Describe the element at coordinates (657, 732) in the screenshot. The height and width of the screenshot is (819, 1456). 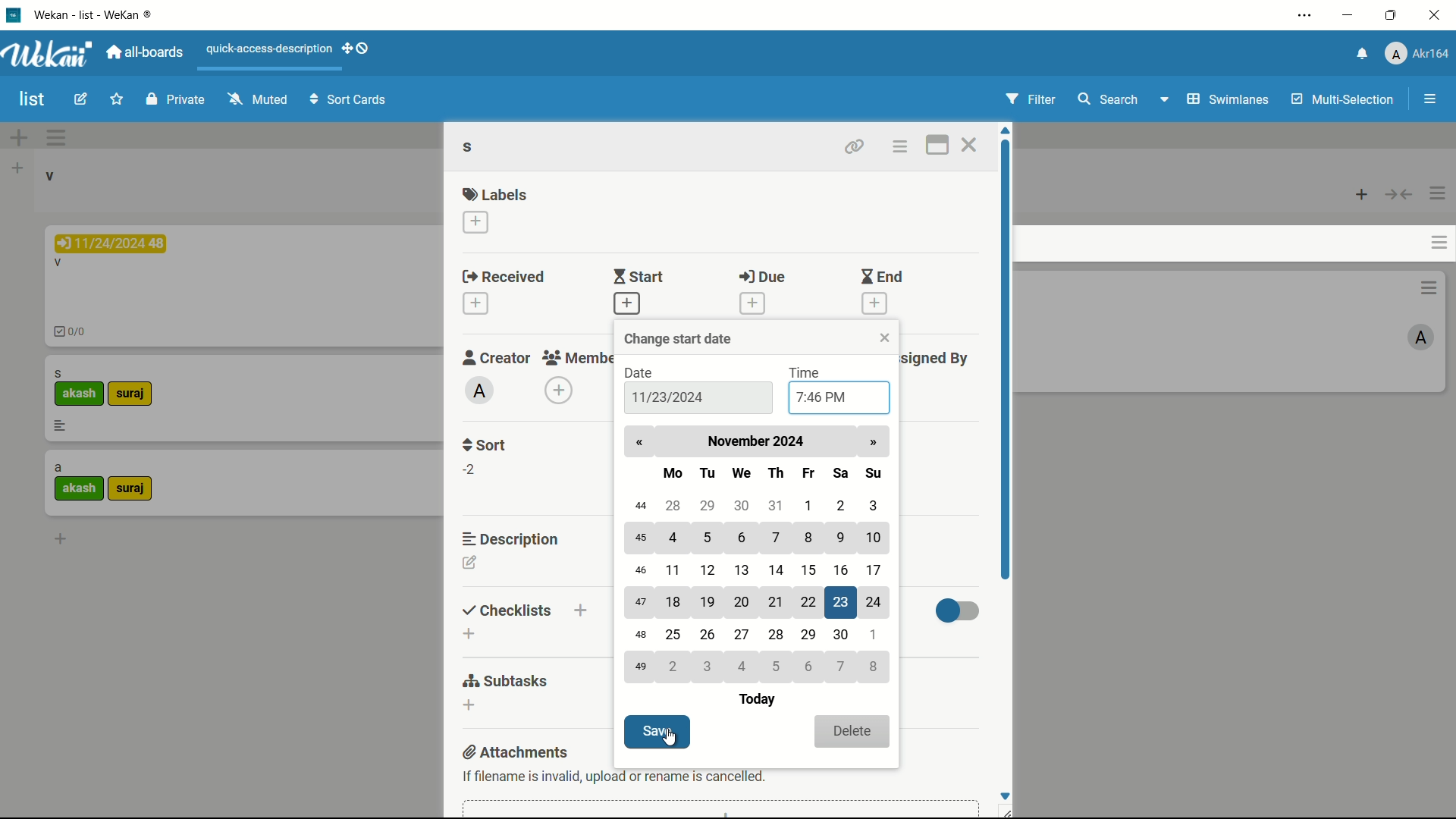
I see `save` at that location.